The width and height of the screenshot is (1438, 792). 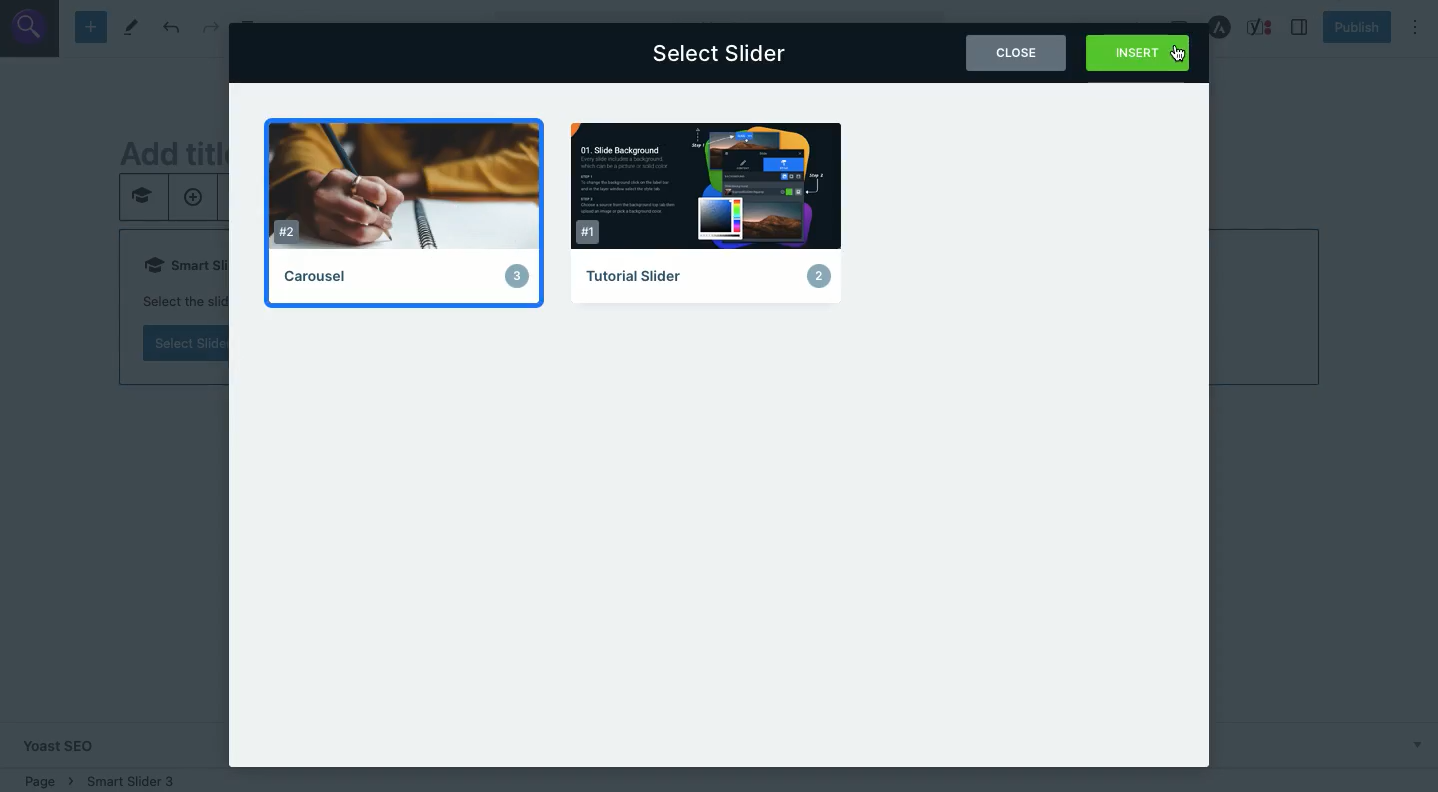 What do you see at coordinates (74, 744) in the screenshot?
I see `Yoast` at bounding box center [74, 744].